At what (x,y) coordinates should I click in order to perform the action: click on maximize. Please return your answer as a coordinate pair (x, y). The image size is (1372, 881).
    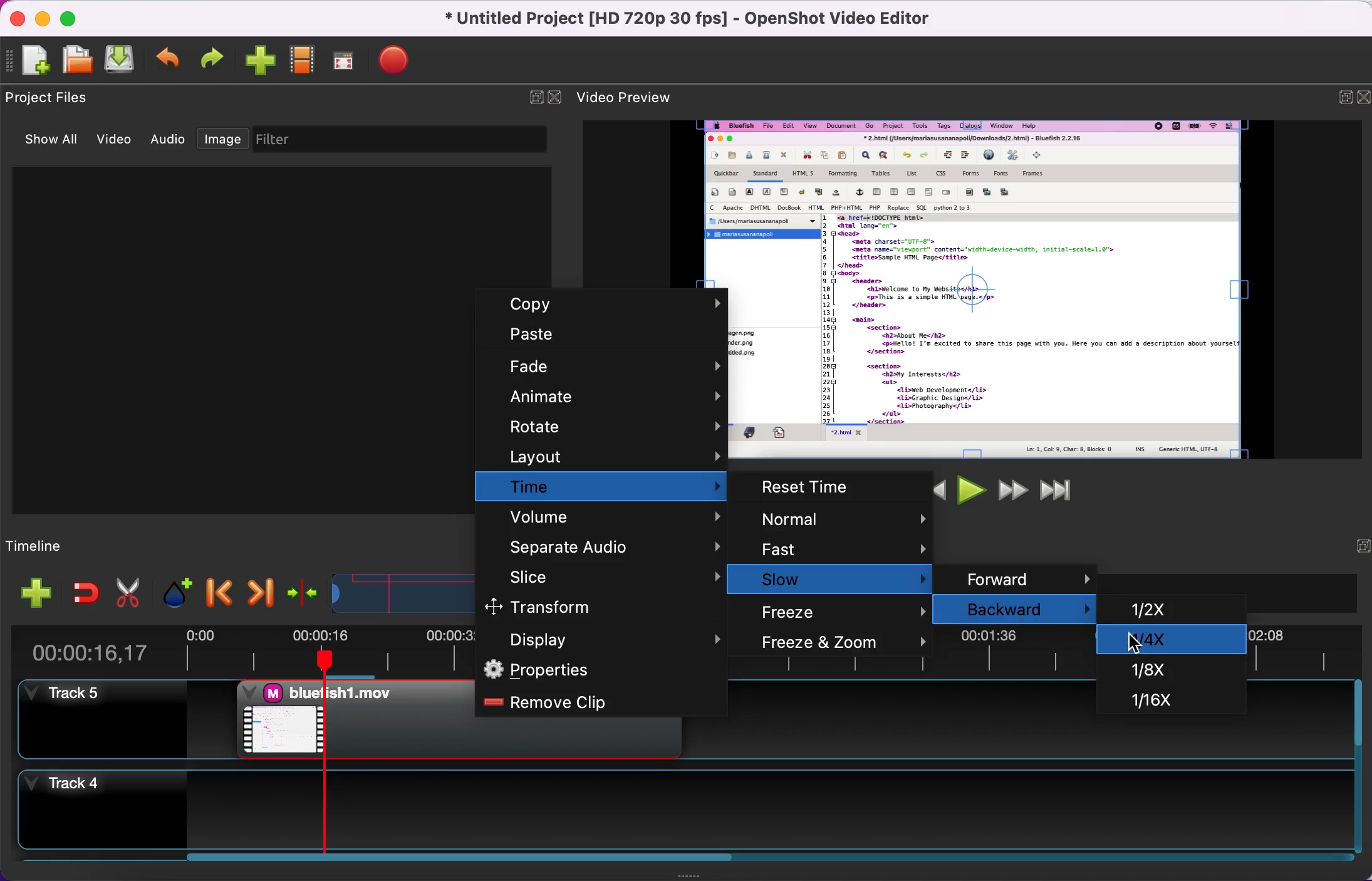
    Looking at the image, I should click on (75, 17).